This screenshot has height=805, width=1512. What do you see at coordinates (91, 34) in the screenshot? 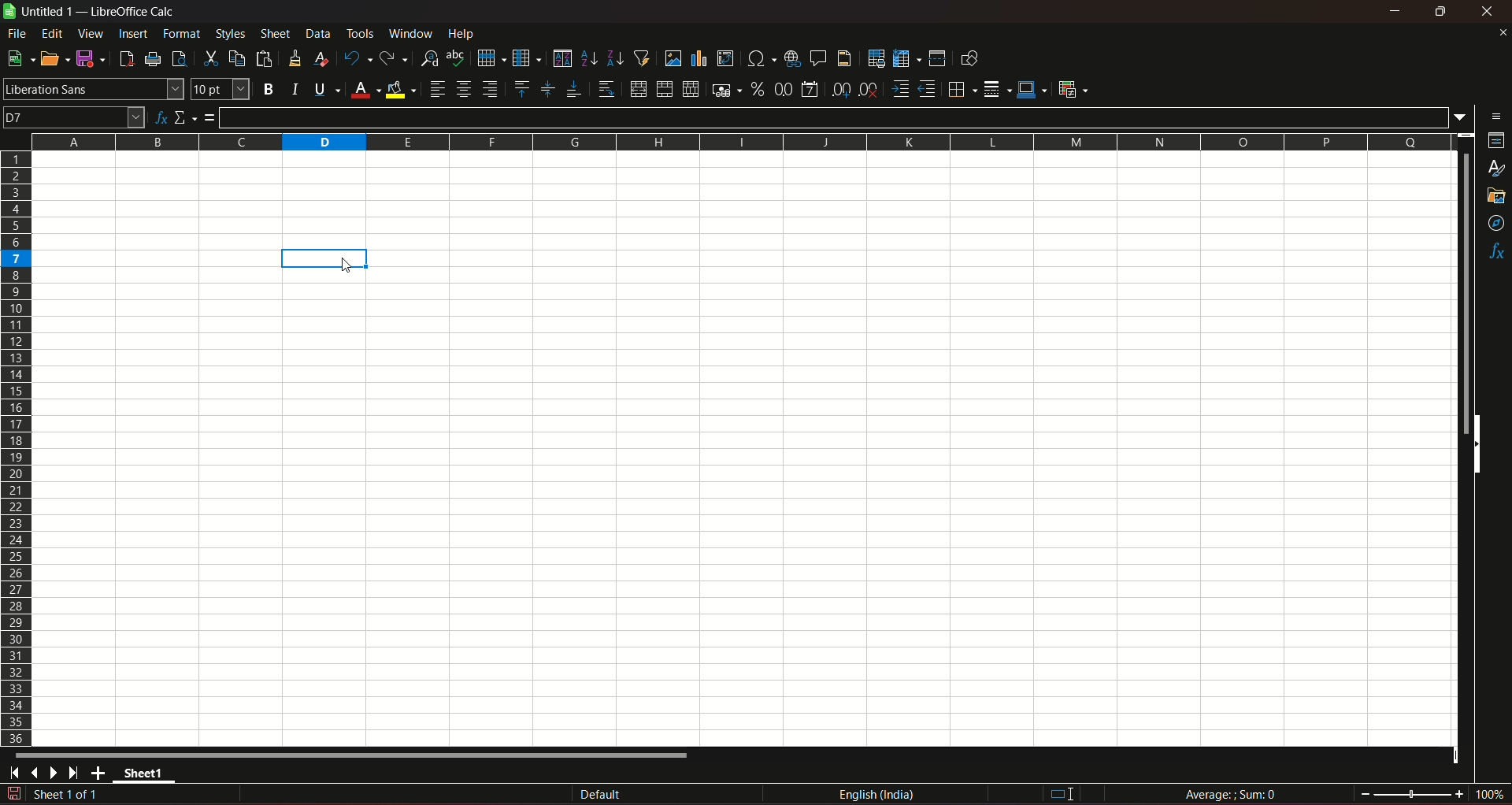
I see `view` at bounding box center [91, 34].